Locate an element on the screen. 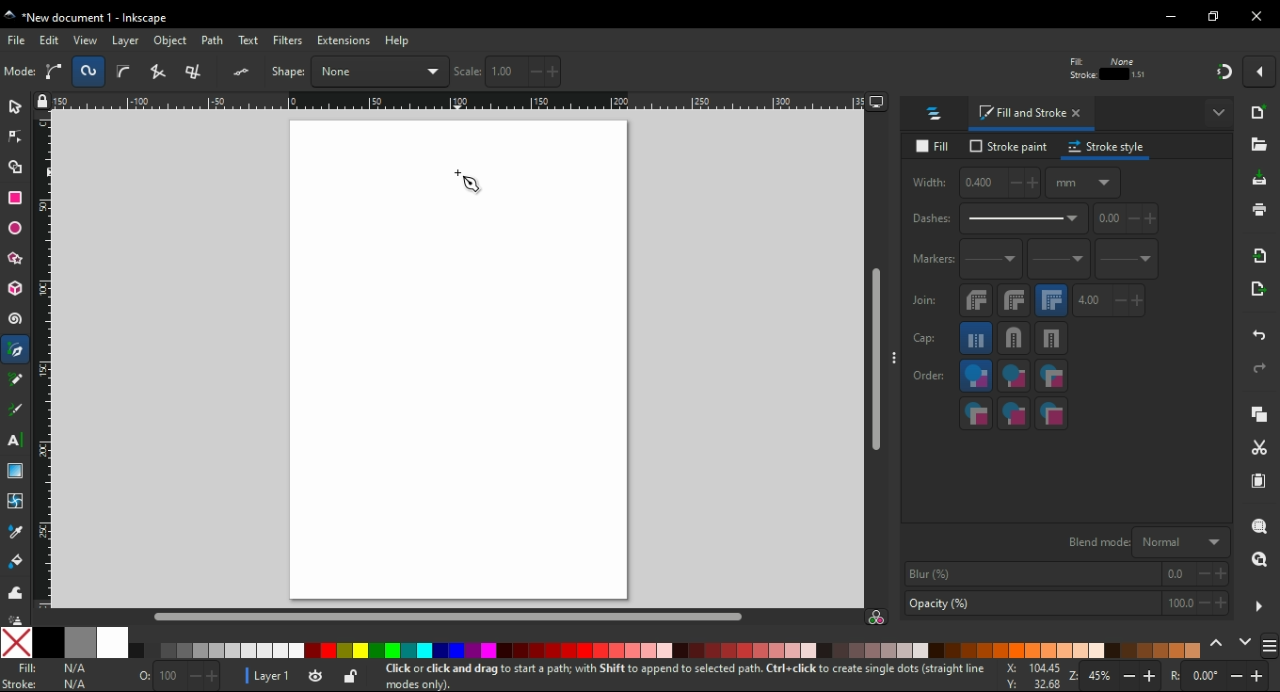 The image size is (1280, 692). height of selection is located at coordinates (920, 71).